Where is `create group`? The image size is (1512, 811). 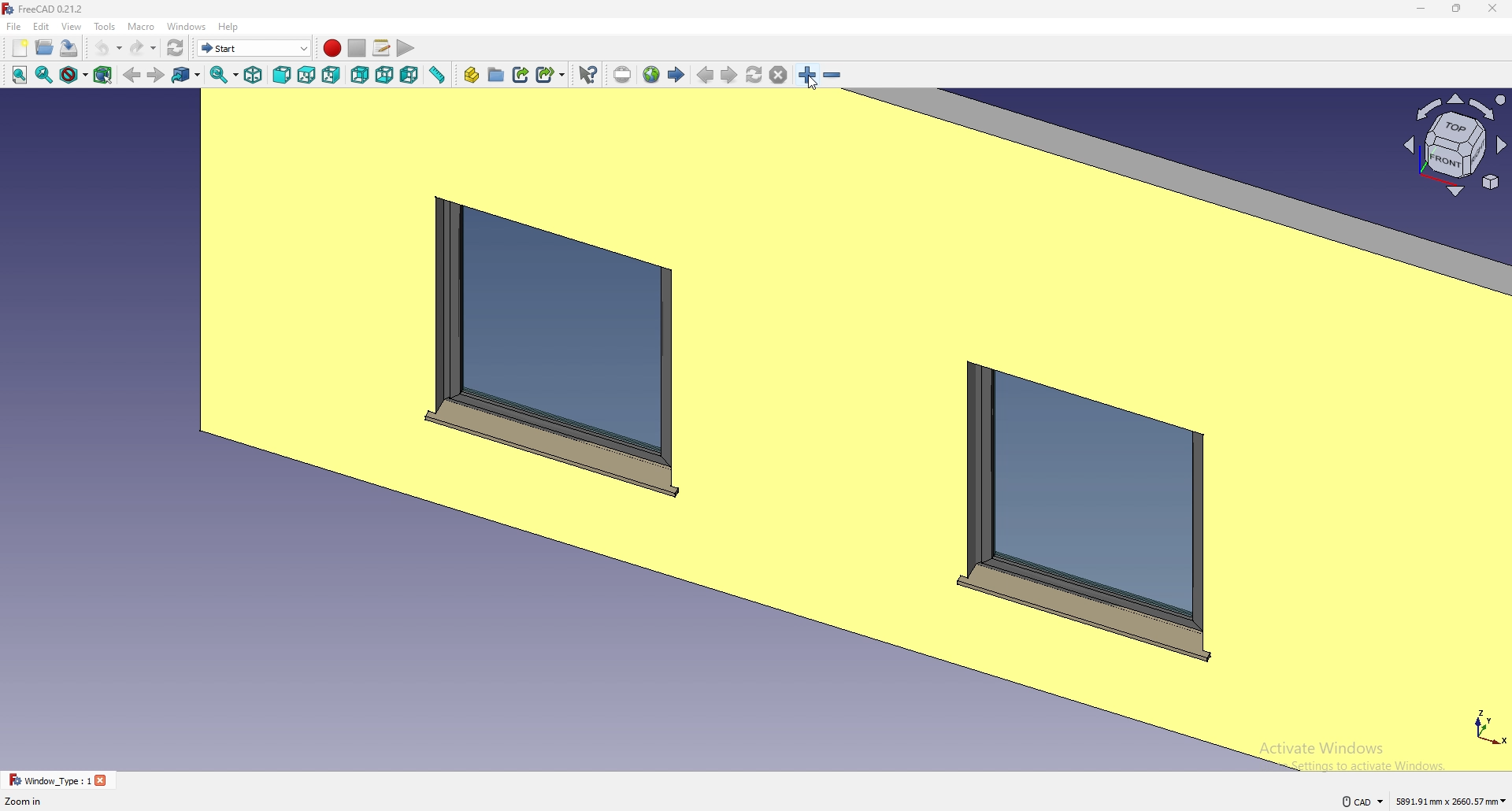 create group is located at coordinates (497, 74).